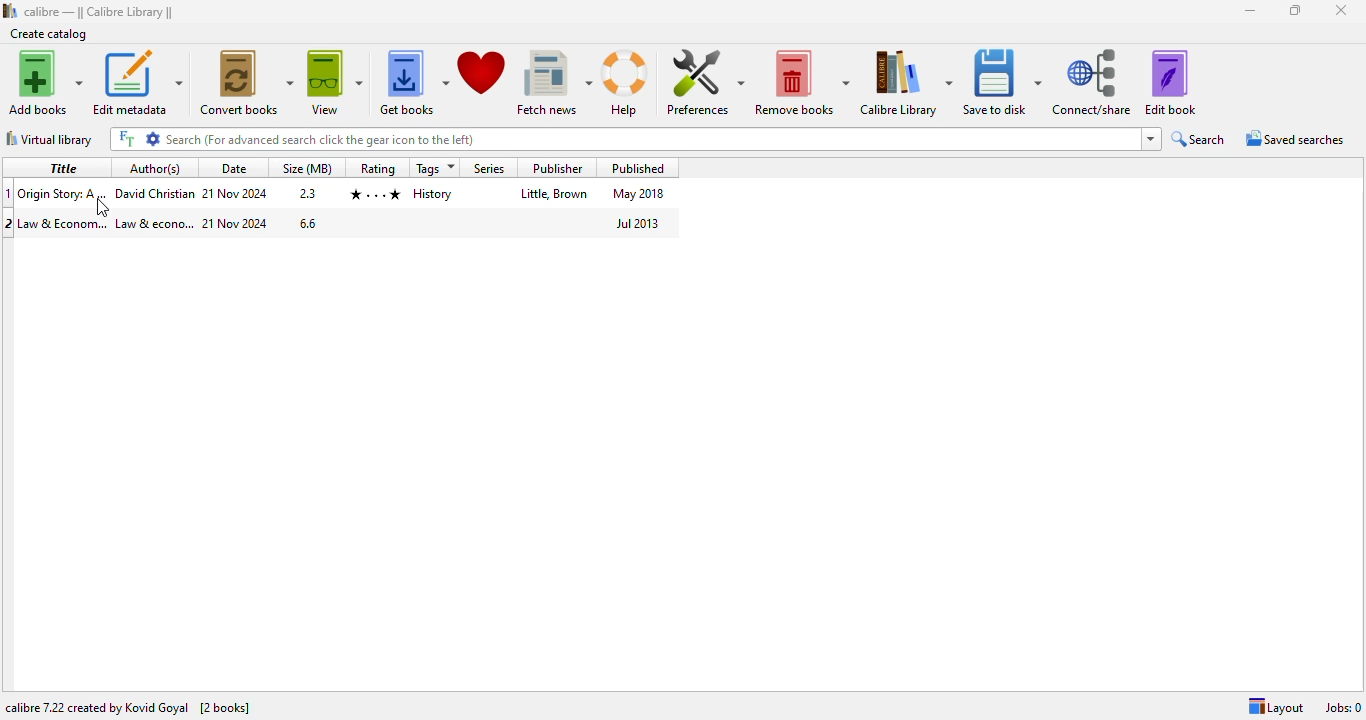  I want to click on 1, so click(9, 193).